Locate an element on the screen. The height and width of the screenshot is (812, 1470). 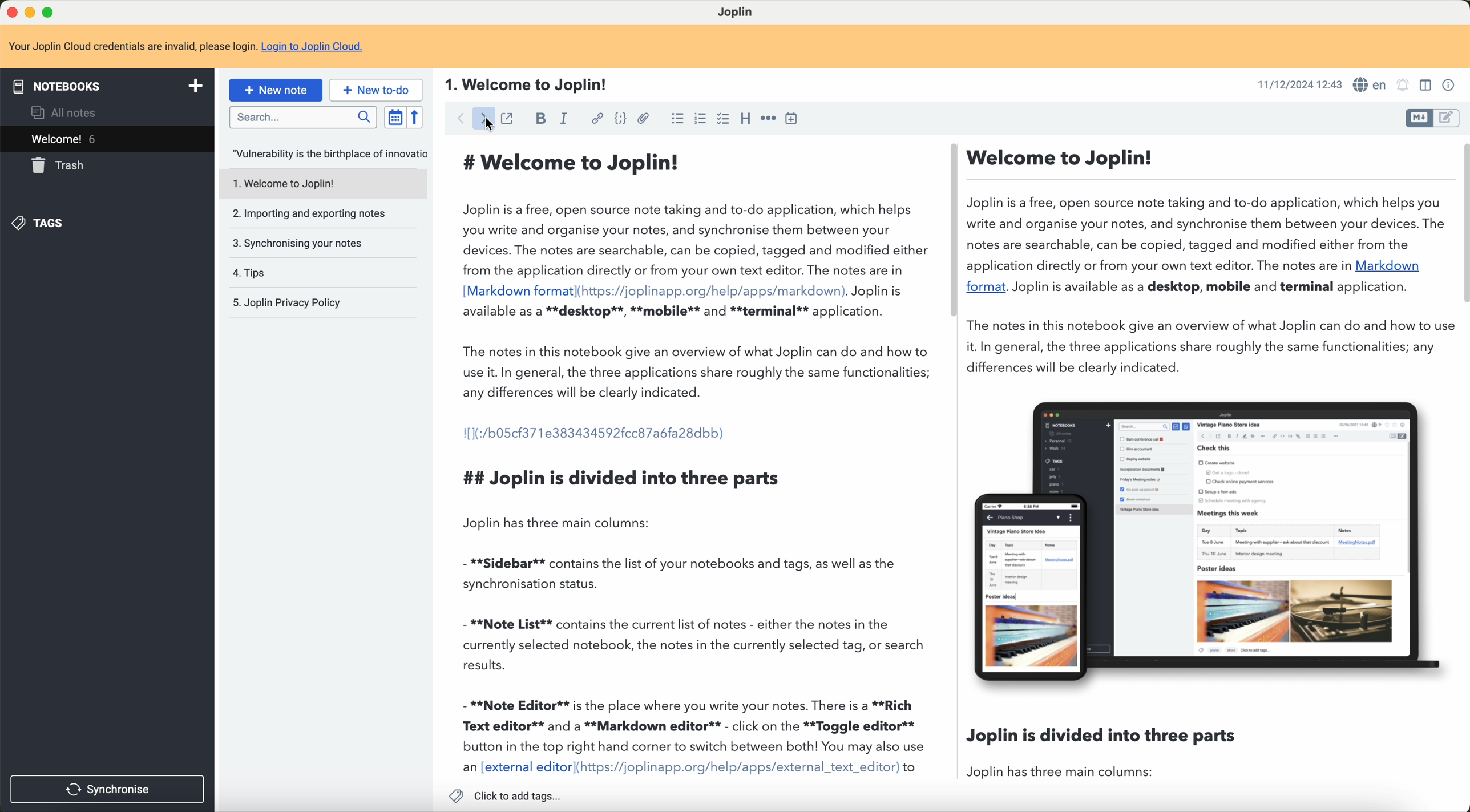
checkbox is located at coordinates (721, 119).